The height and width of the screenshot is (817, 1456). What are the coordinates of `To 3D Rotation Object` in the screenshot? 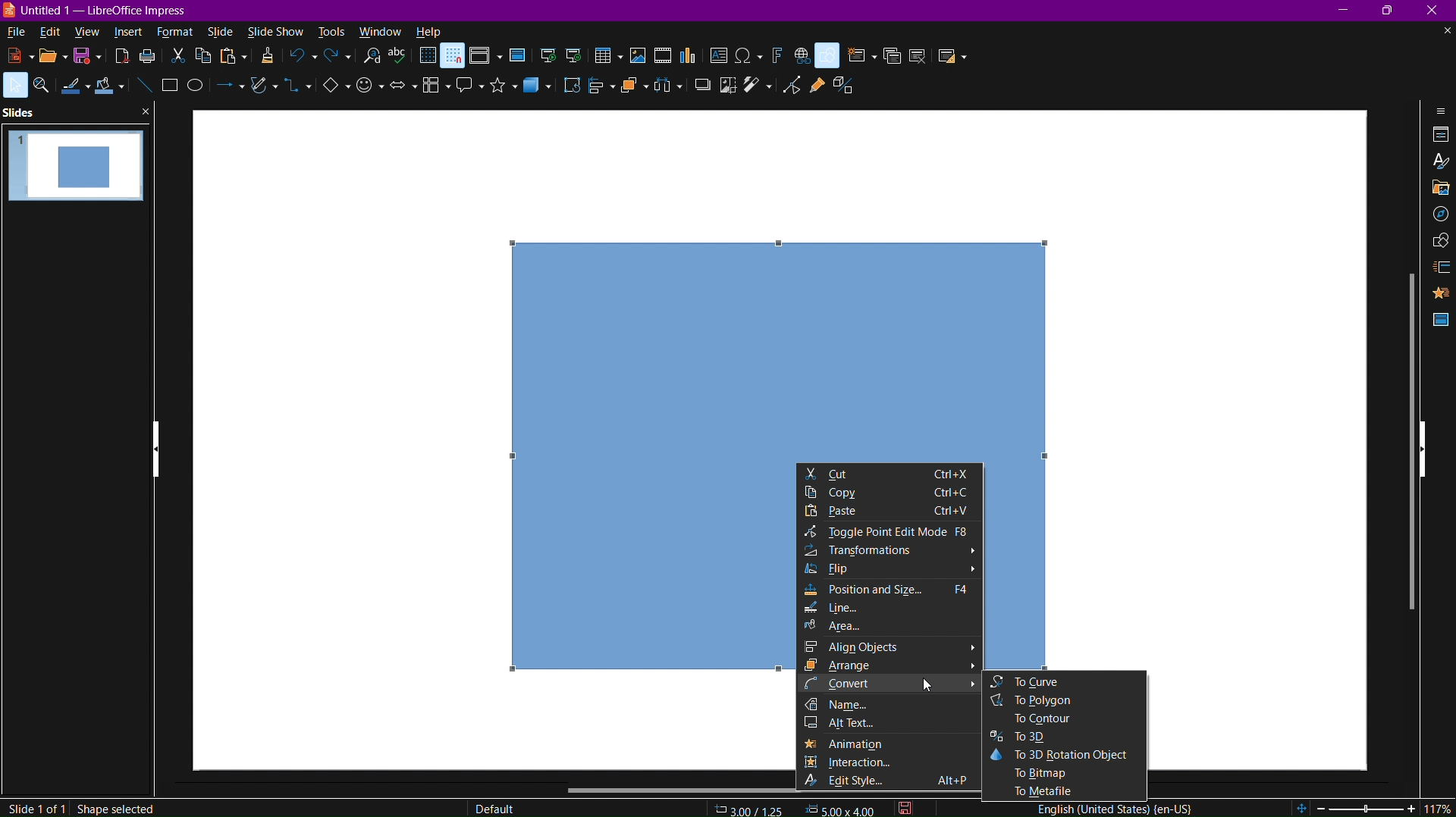 It's located at (1068, 758).